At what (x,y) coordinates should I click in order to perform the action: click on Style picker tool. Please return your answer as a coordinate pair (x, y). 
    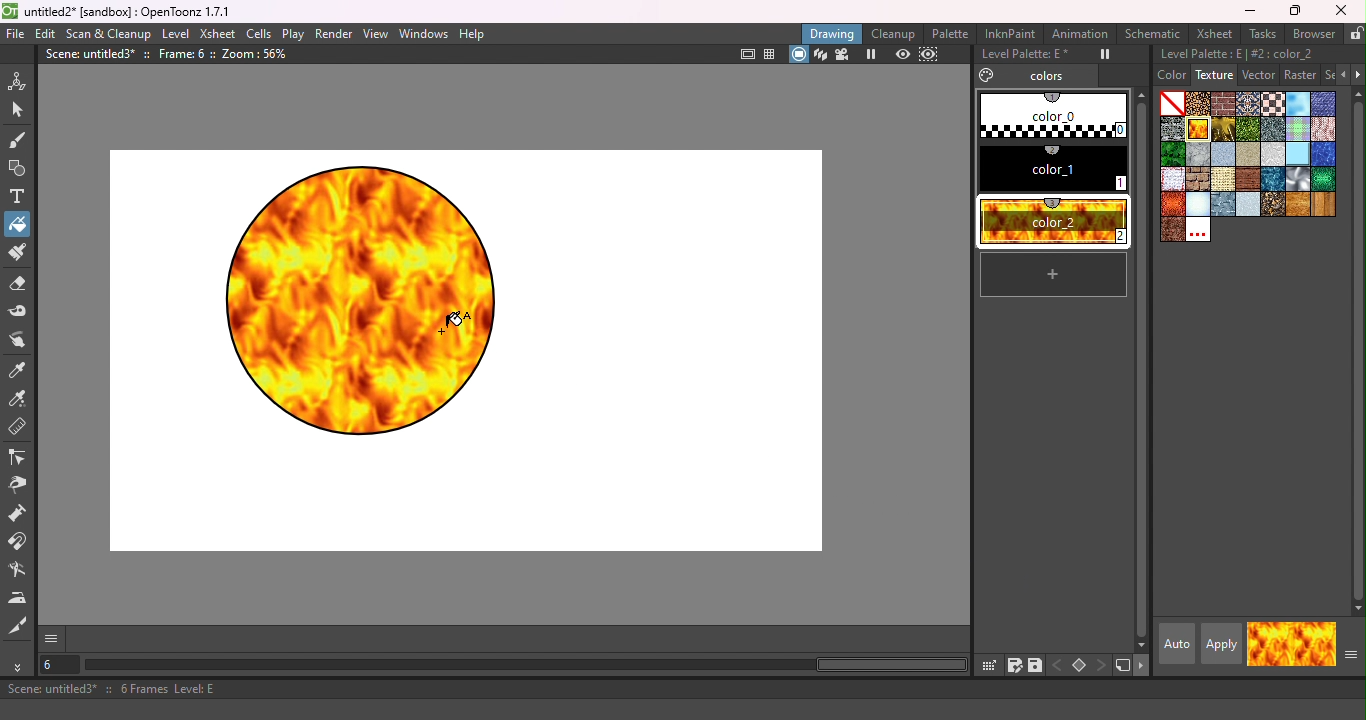
    Looking at the image, I should click on (23, 371).